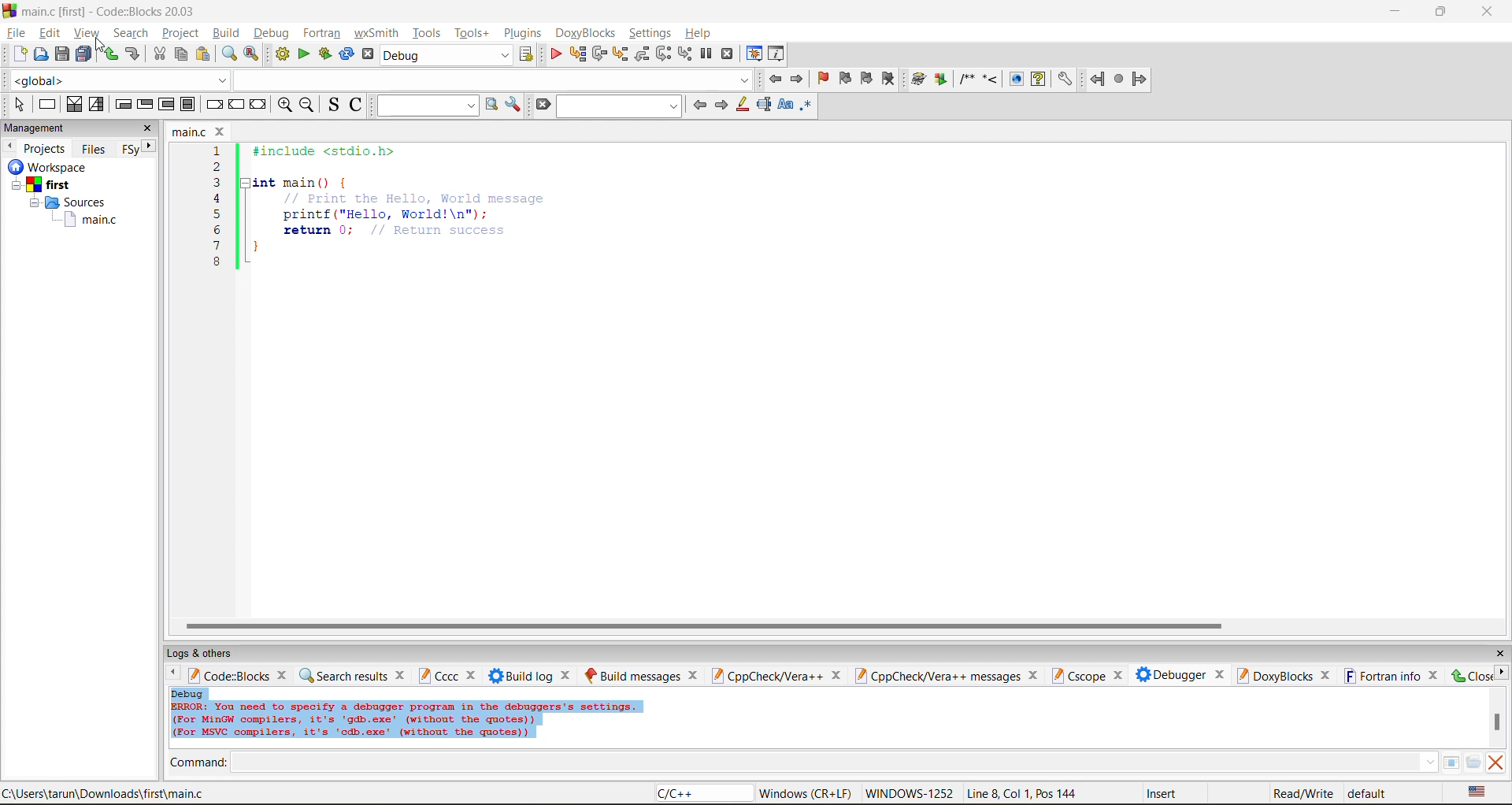 The image size is (1512, 805). What do you see at coordinates (1497, 655) in the screenshot?
I see `close` at bounding box center [1497, 655].